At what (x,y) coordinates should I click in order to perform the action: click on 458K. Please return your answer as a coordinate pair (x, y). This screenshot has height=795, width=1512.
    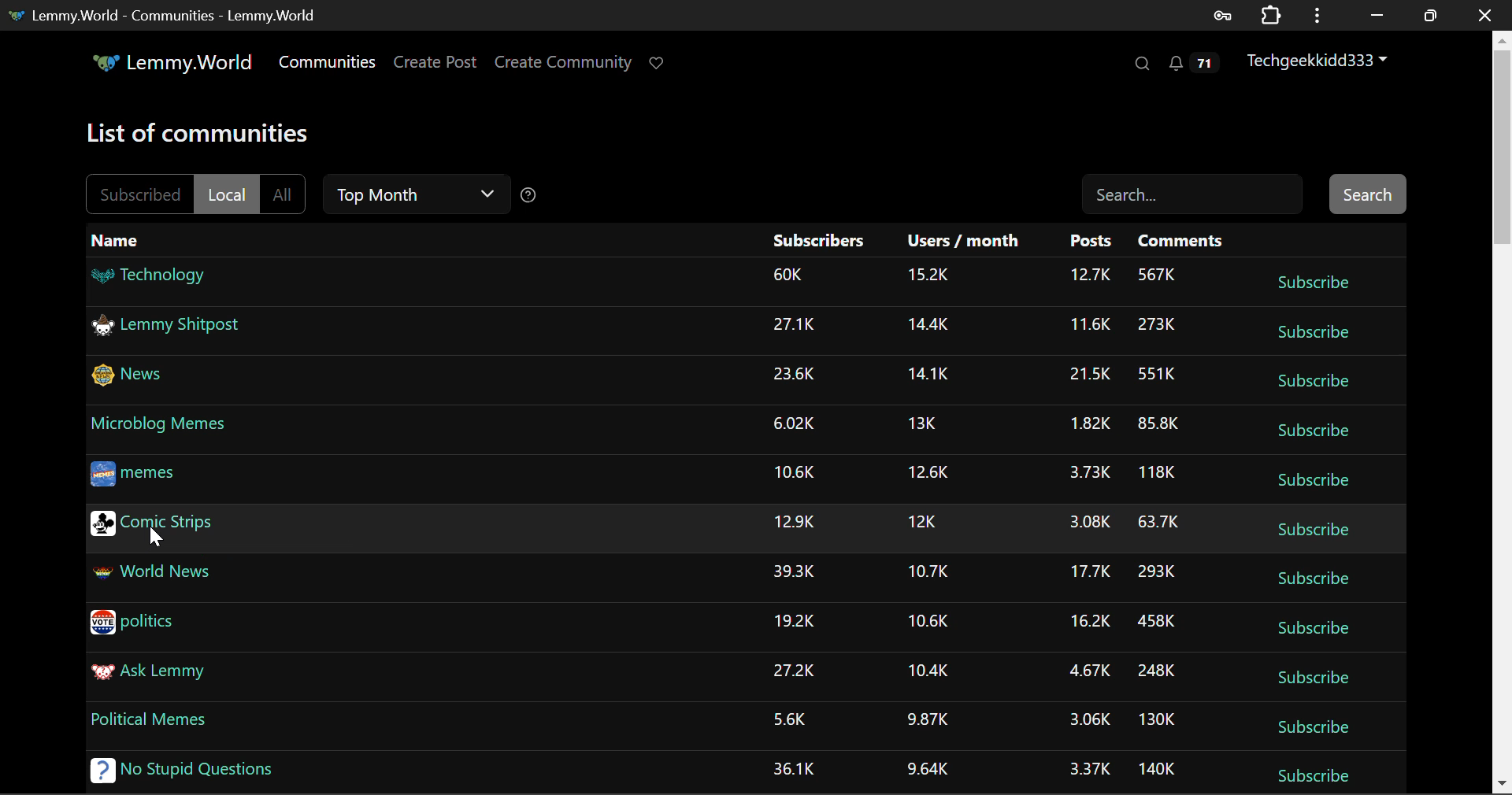
    Looking at the image, I should click on (1158, 623).